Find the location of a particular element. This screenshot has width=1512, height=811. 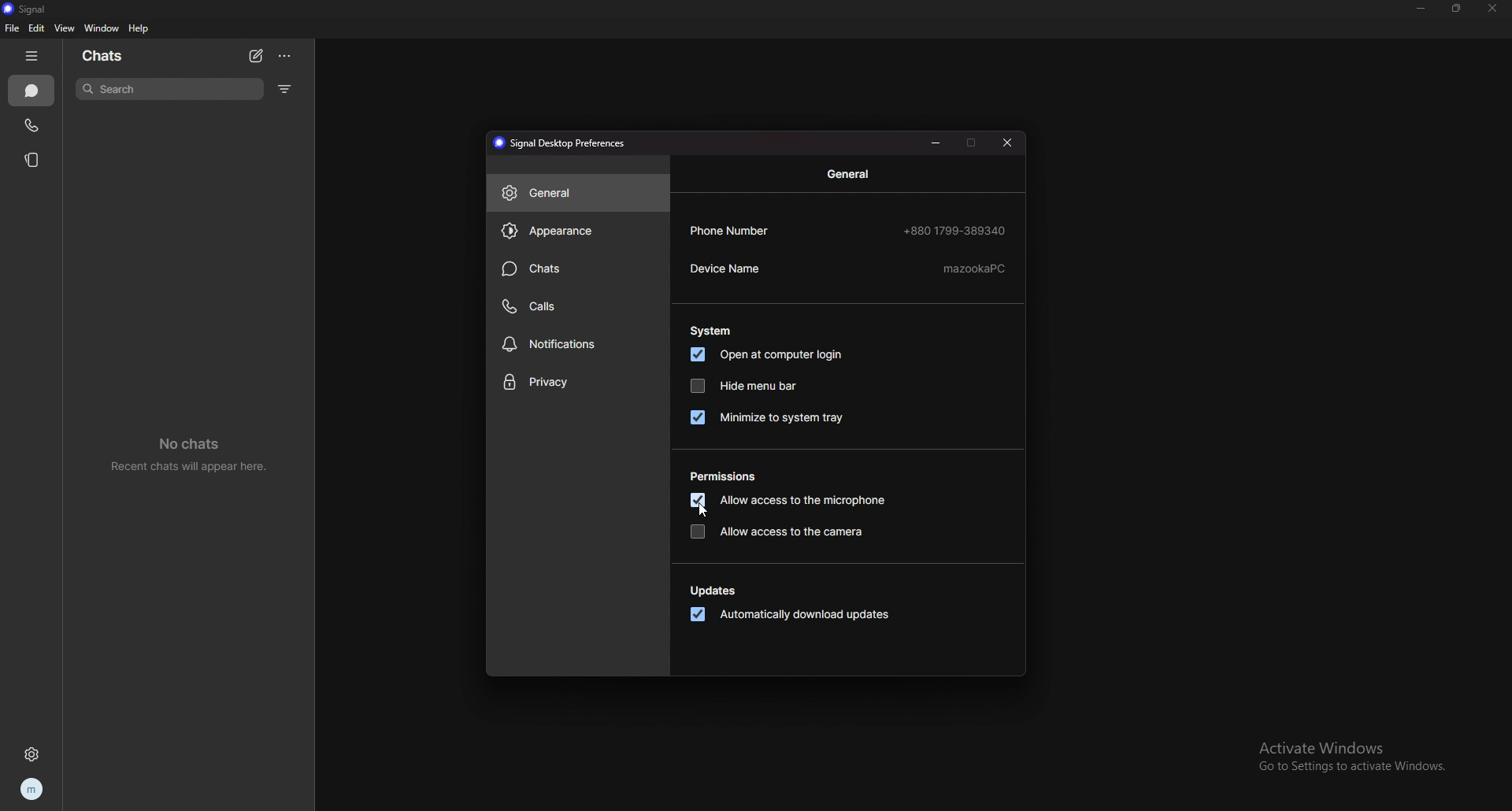

notifications is located at coordinates (576, 343).